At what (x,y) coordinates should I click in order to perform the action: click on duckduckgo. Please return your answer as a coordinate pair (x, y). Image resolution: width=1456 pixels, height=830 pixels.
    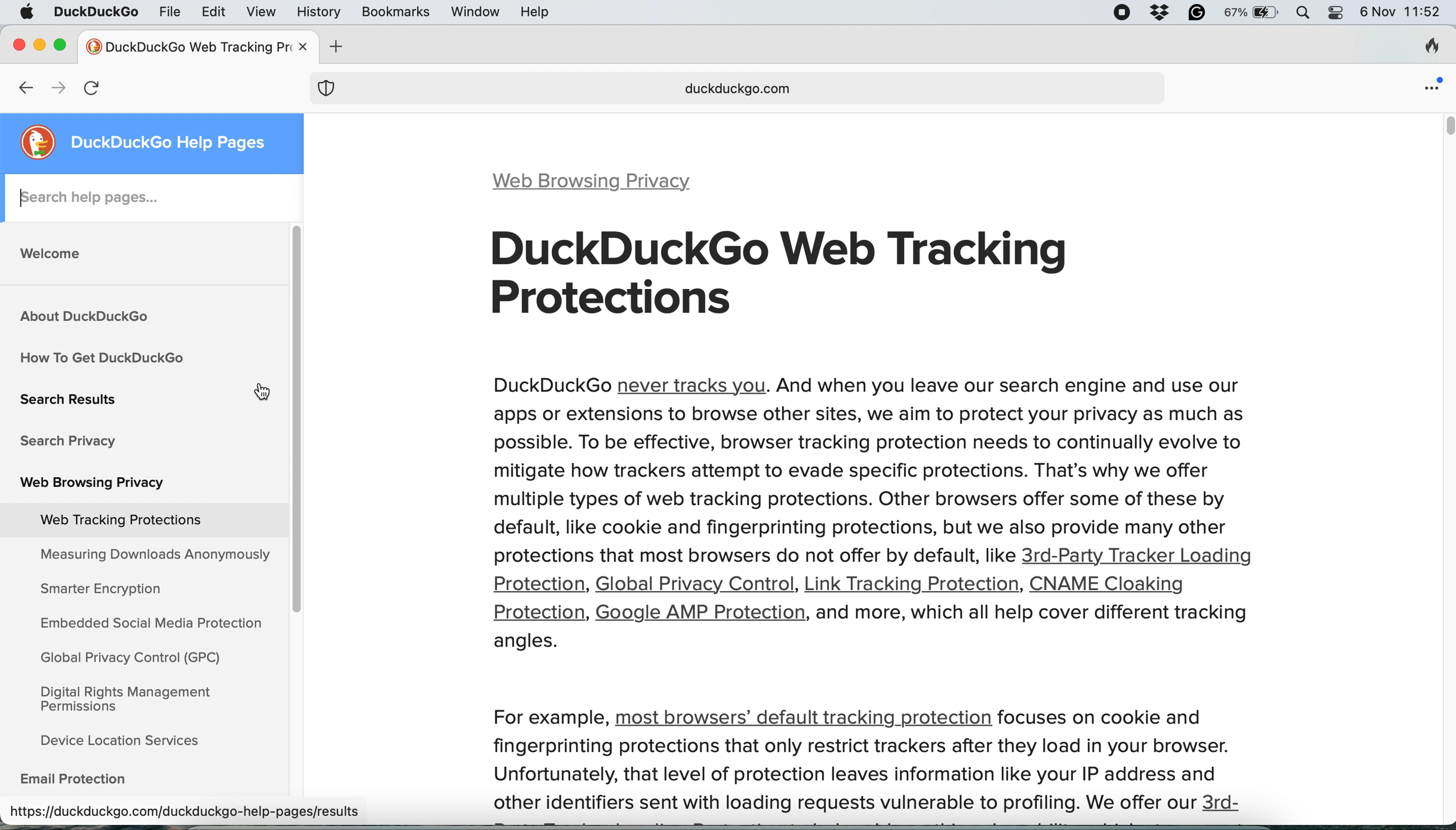
    Looking at the image, I should click on (97, 10).